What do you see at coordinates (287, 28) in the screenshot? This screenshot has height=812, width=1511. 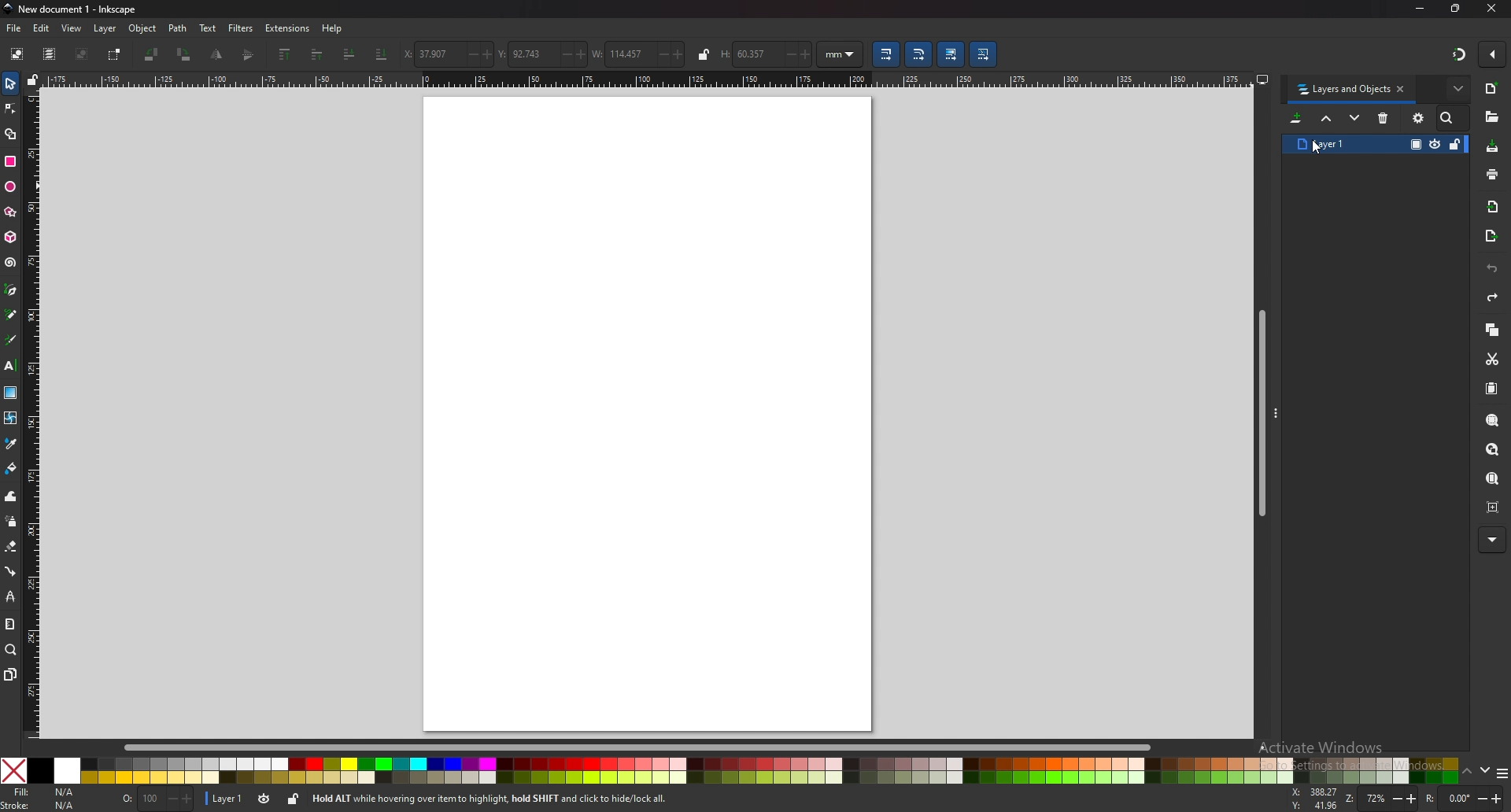 I see `extensions` at bounding box center [287, 28].